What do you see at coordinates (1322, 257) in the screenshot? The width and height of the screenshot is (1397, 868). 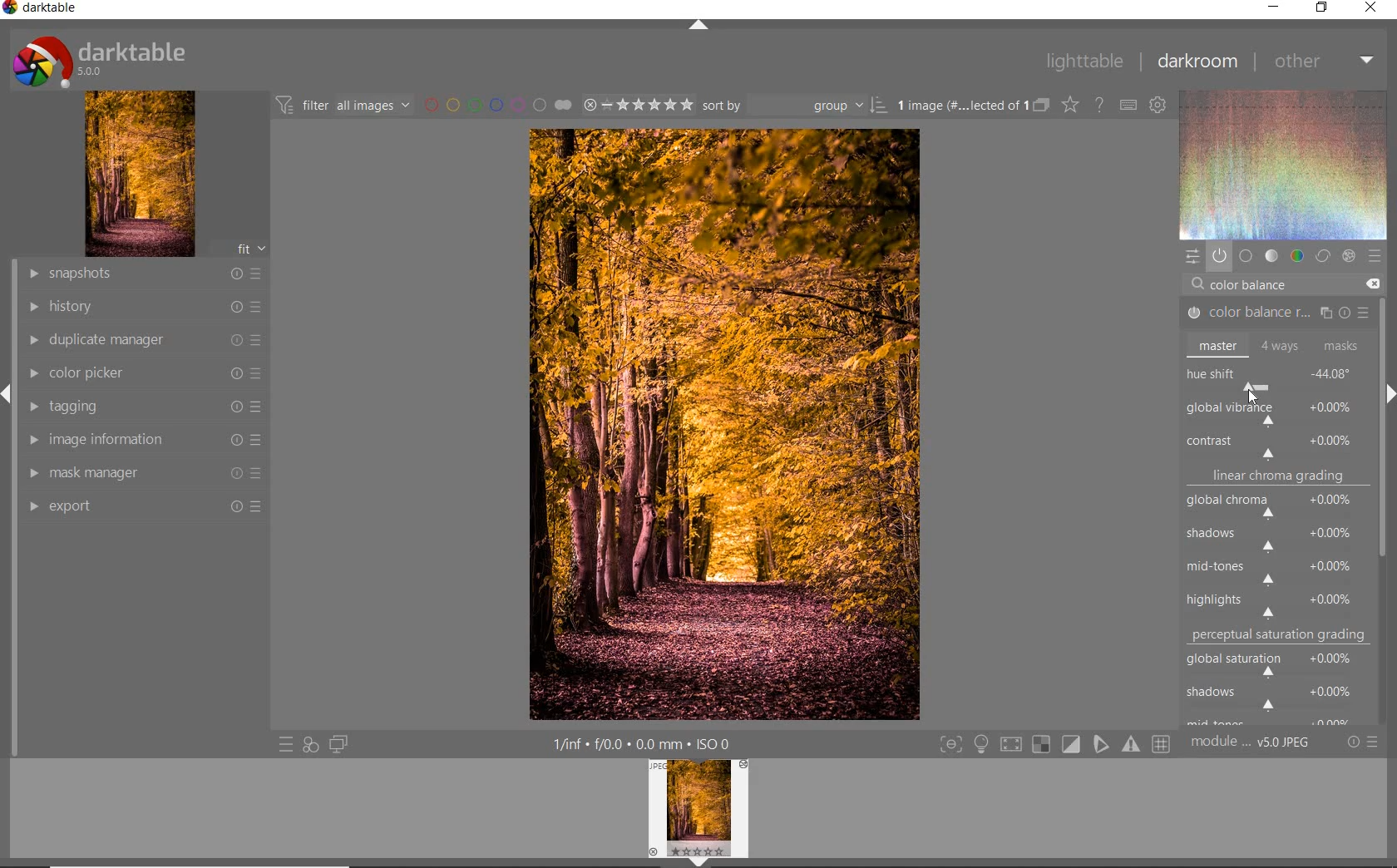 I see `correct` at bounding box center [1322, 257].